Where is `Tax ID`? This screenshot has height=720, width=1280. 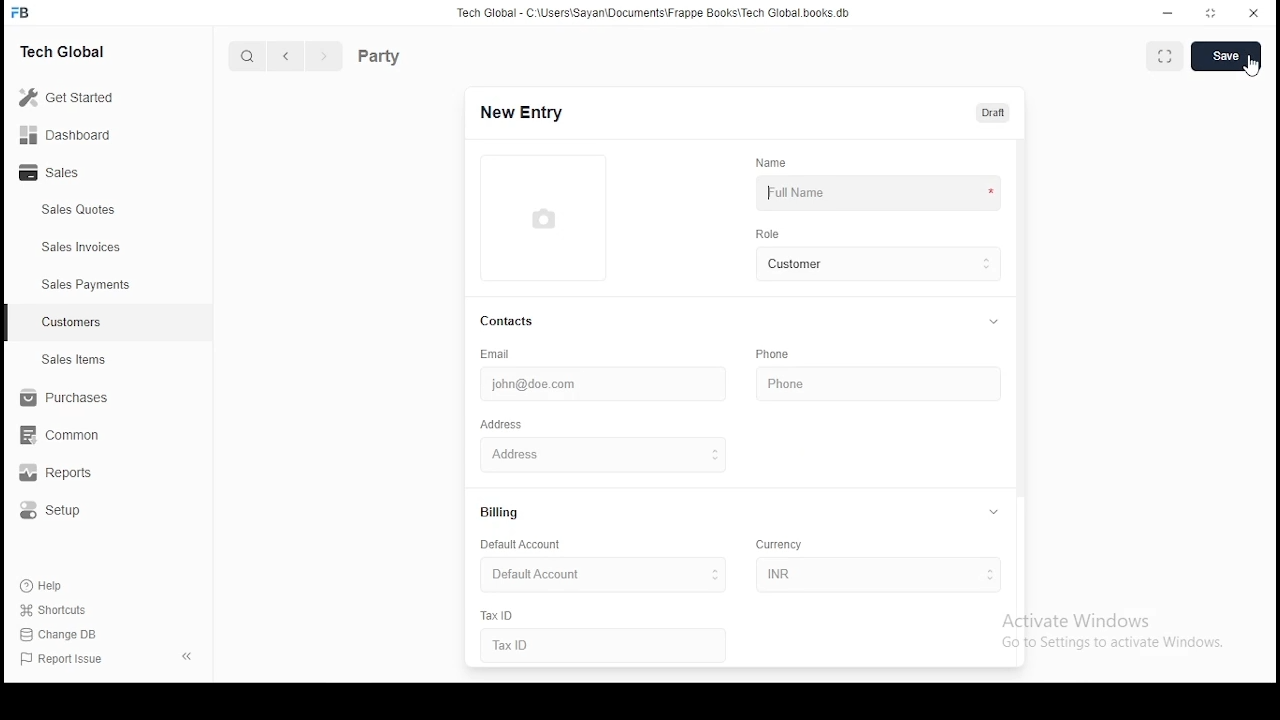 Tax ID is located at coordinates (539, 645).